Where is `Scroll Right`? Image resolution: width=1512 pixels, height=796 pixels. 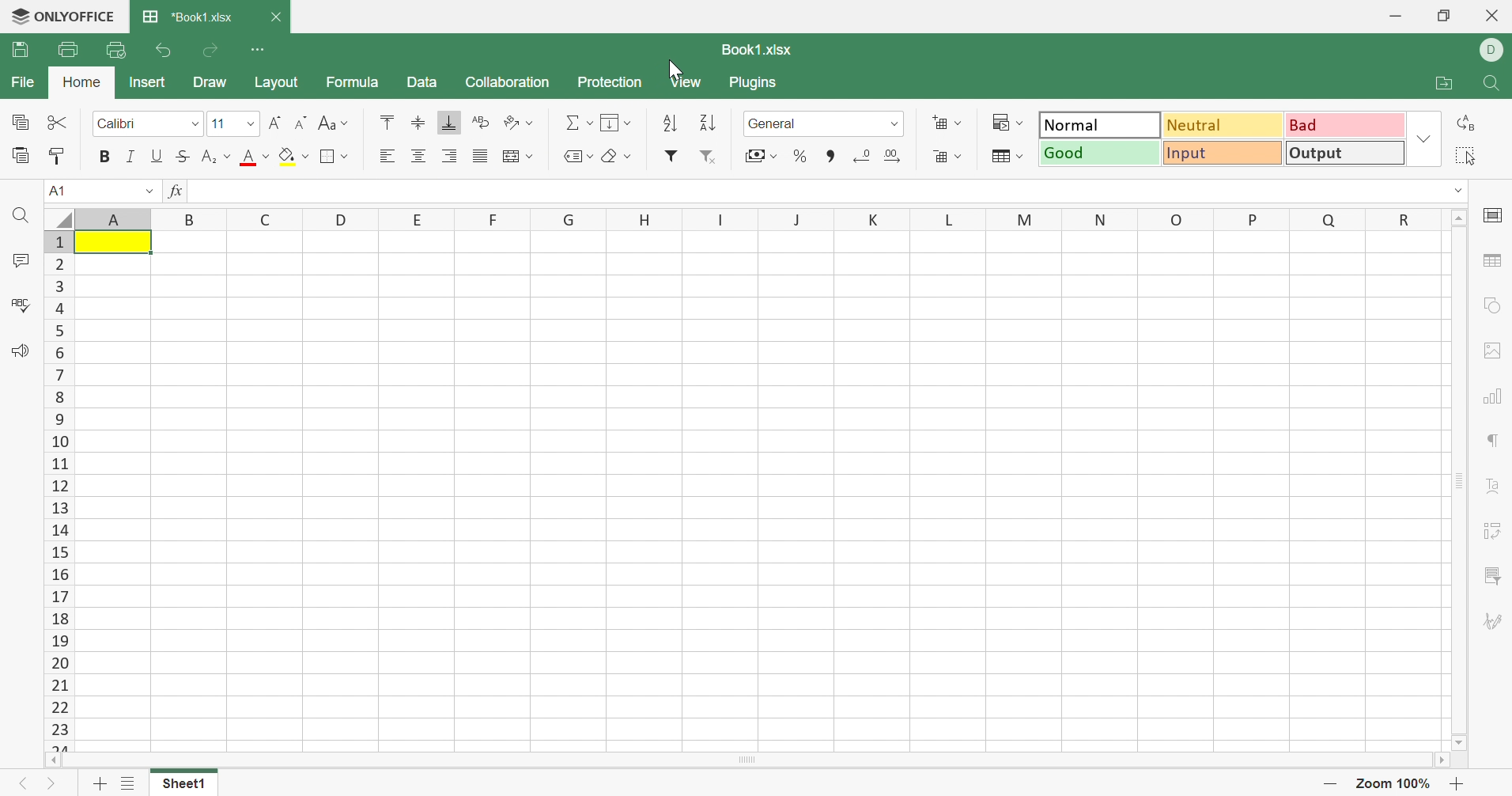 Scroll Right is located at coordinates (1438, 760).